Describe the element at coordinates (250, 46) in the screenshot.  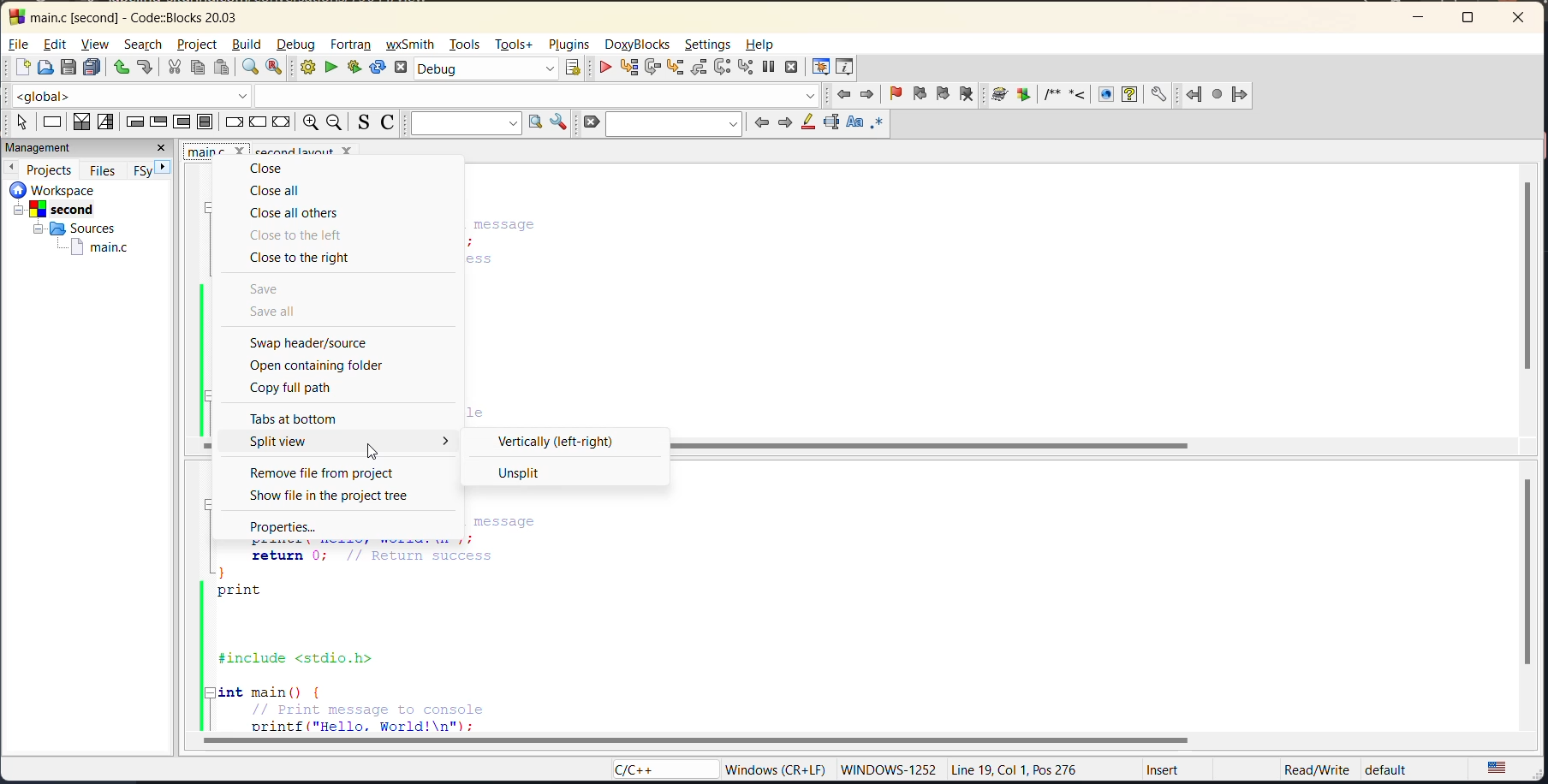
I see `build` at that location.